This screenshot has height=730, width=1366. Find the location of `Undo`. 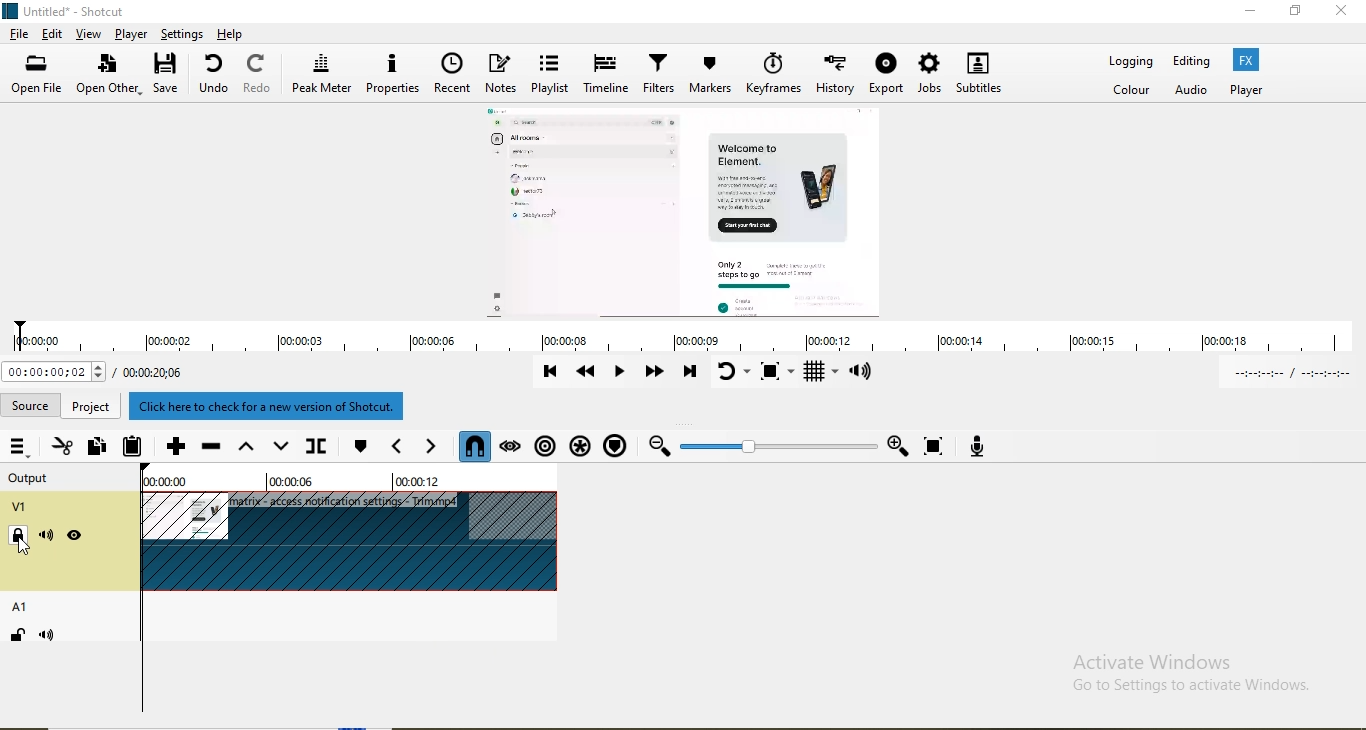

Undo is located at coordinates (217, 76).